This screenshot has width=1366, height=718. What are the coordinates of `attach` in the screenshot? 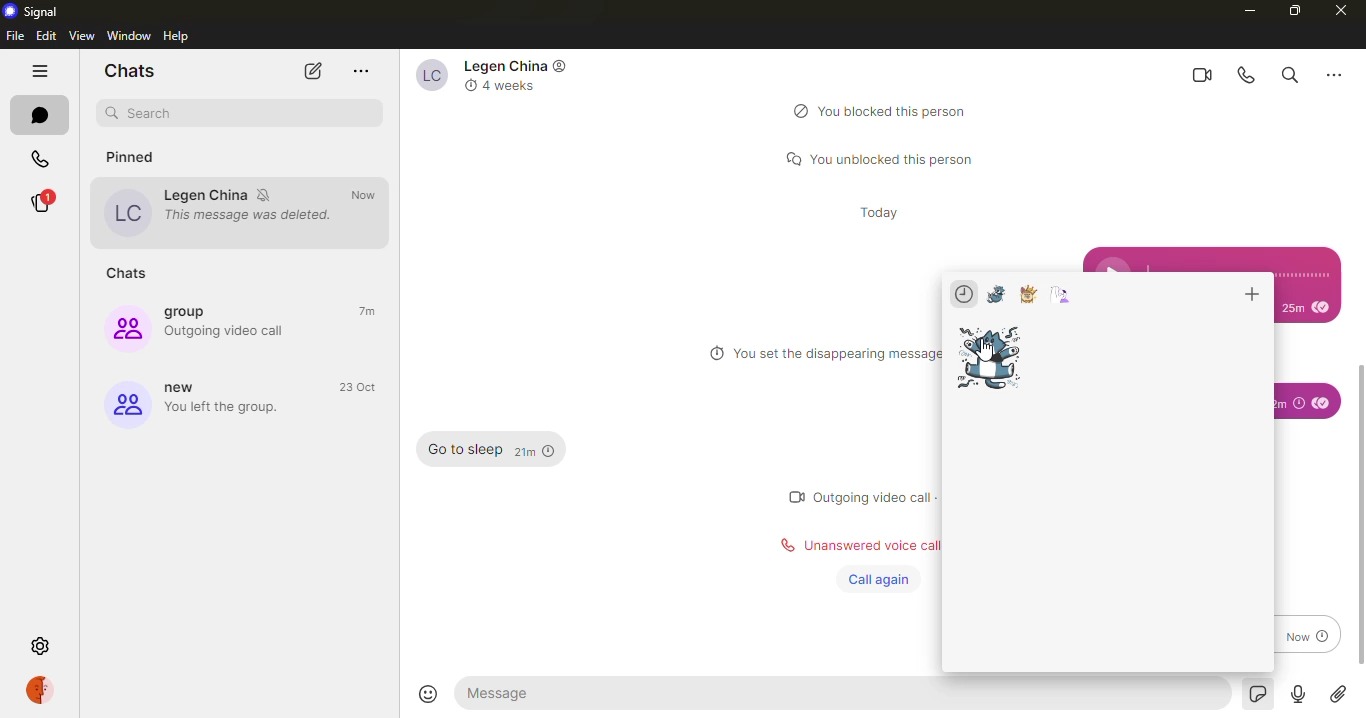 It's located at (1338, 695).